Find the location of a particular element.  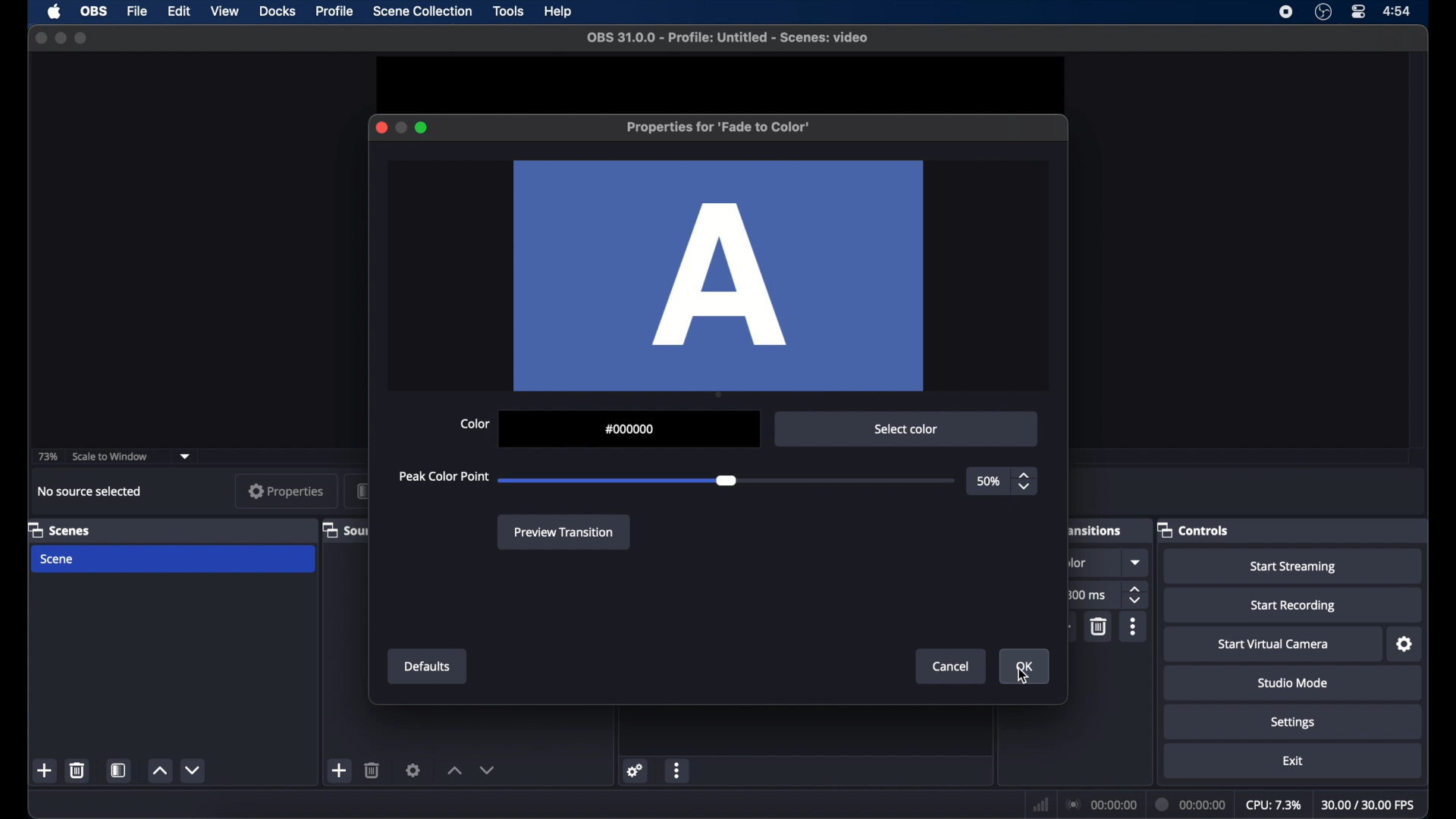

scene transitions is located at coordinates (1098, 529).